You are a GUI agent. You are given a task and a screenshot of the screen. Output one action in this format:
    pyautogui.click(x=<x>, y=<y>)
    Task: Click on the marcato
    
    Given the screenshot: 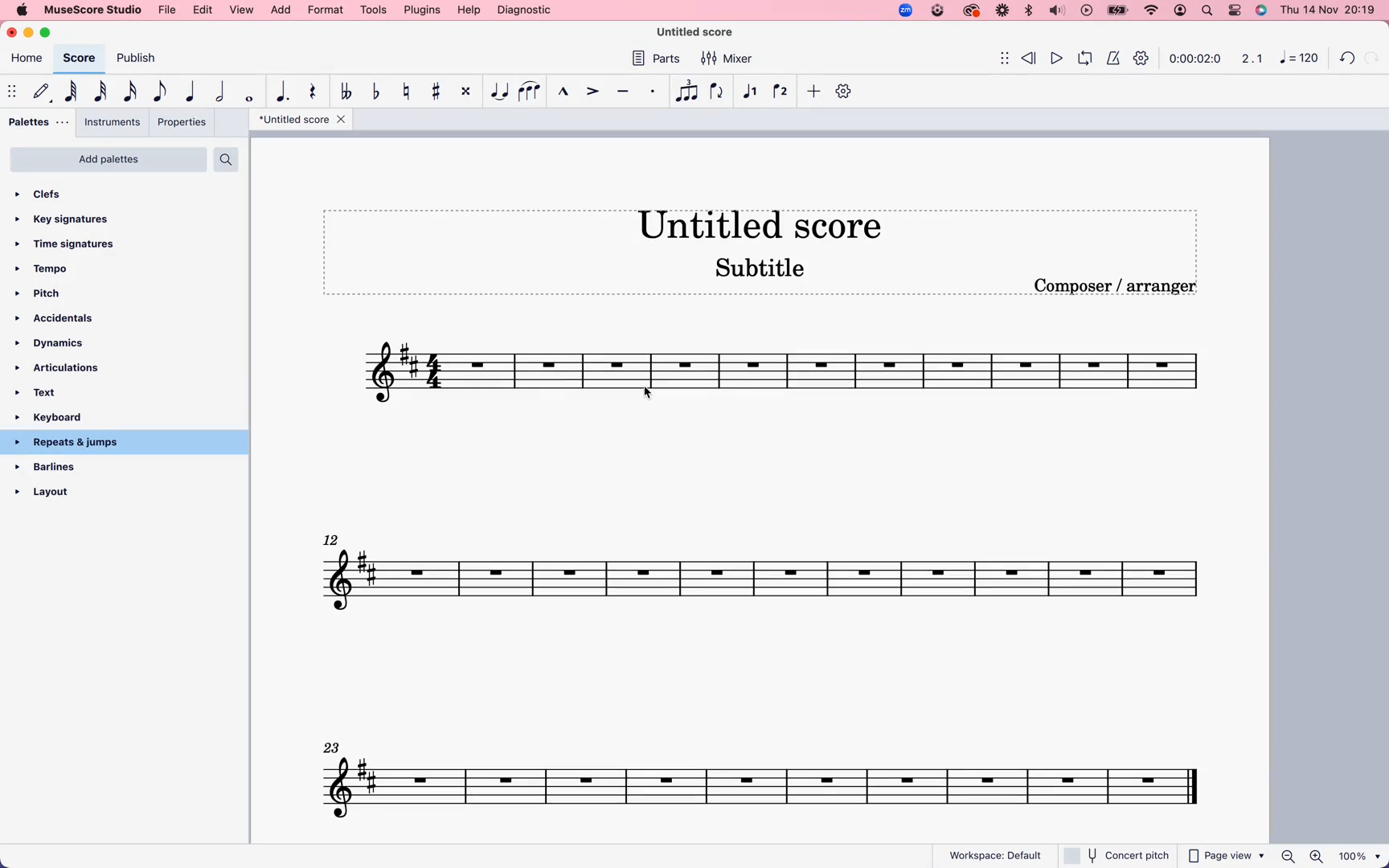 What is the action you would take?
    pyautogui.click(x=563, y=93)
    